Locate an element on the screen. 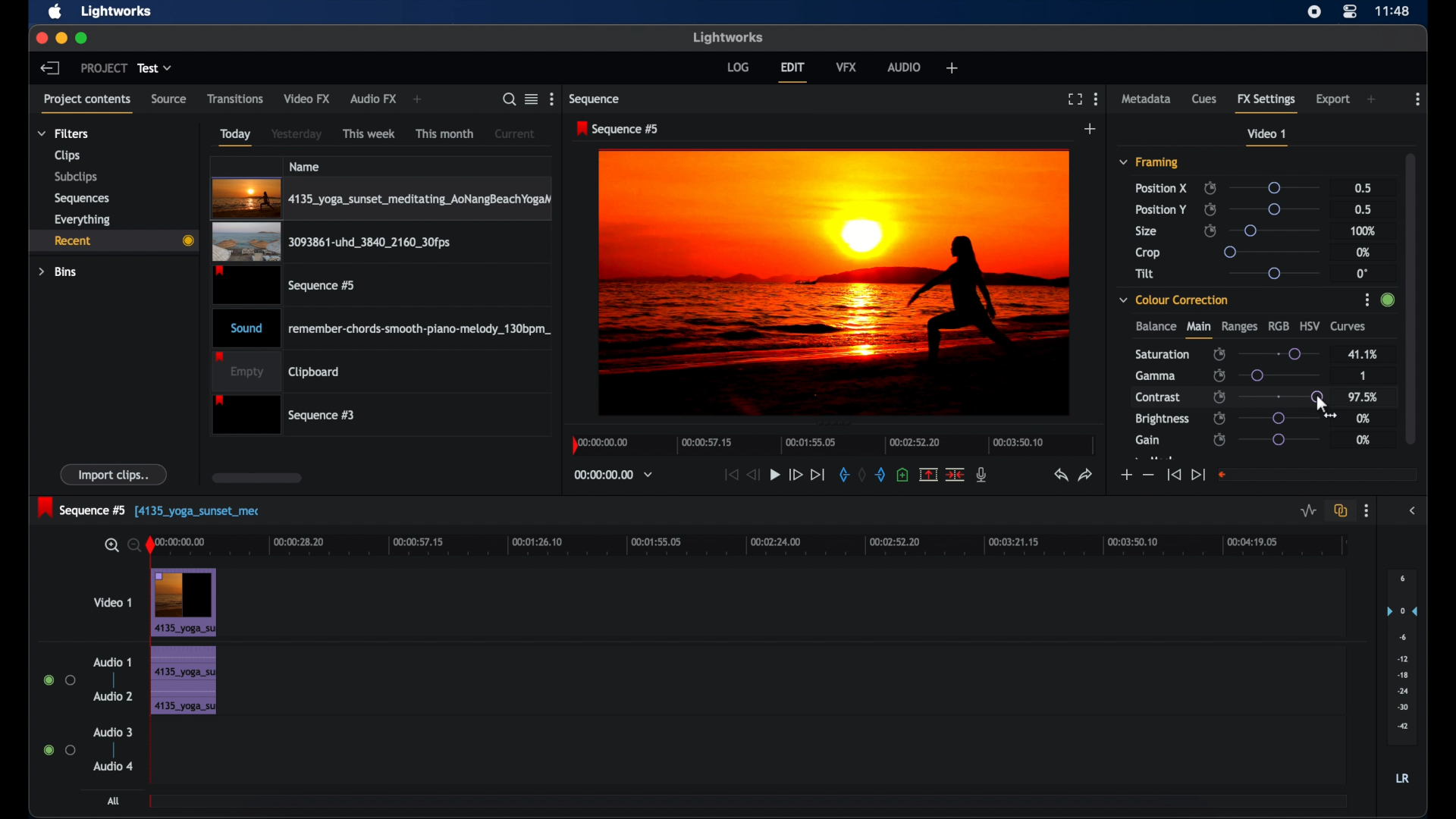 The image size is (1456, 819). cues is located at coordinates (1205, 99).